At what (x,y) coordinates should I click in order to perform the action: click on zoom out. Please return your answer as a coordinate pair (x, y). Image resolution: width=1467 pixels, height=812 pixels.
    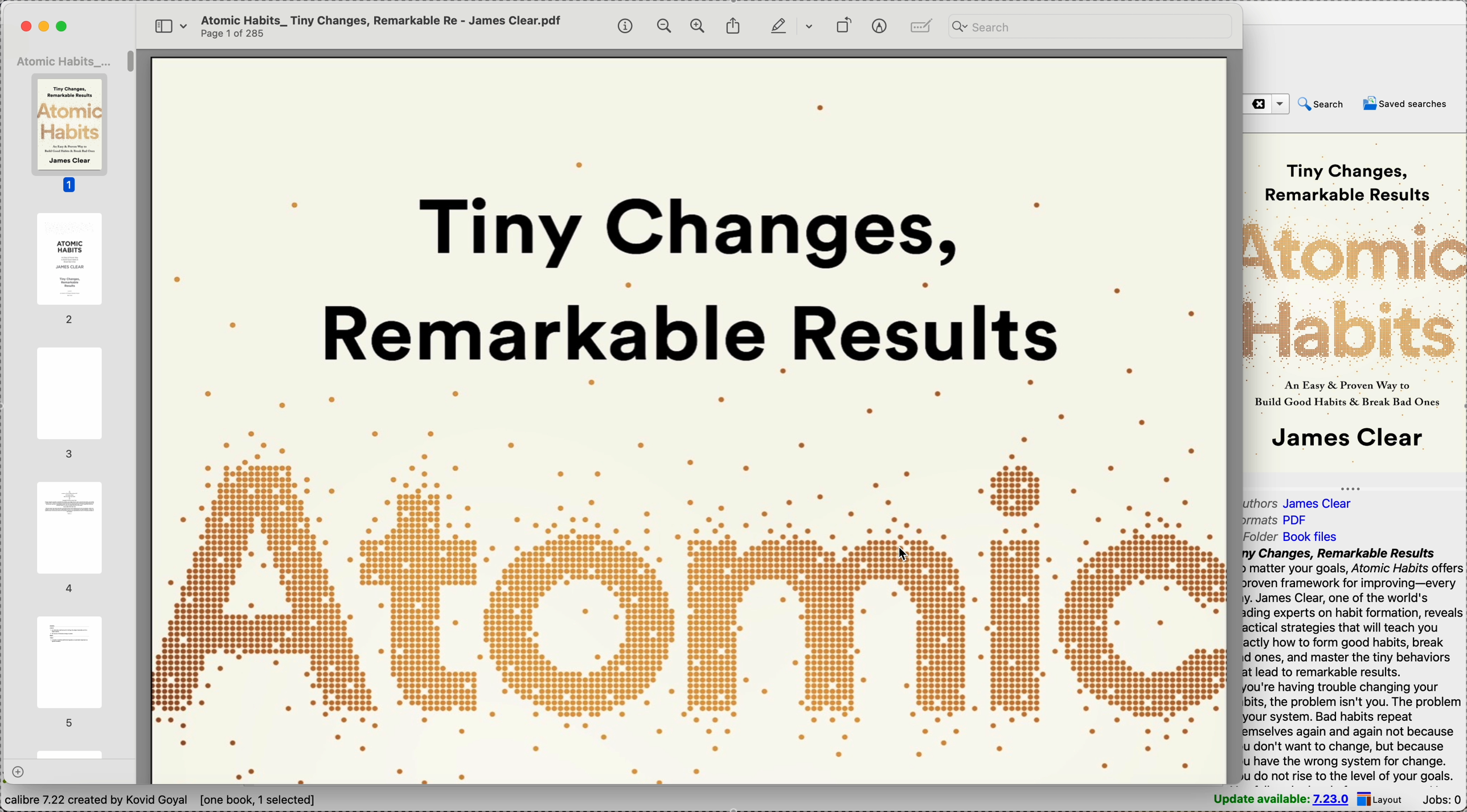
    Looking at the image, I should click on (664, 26).